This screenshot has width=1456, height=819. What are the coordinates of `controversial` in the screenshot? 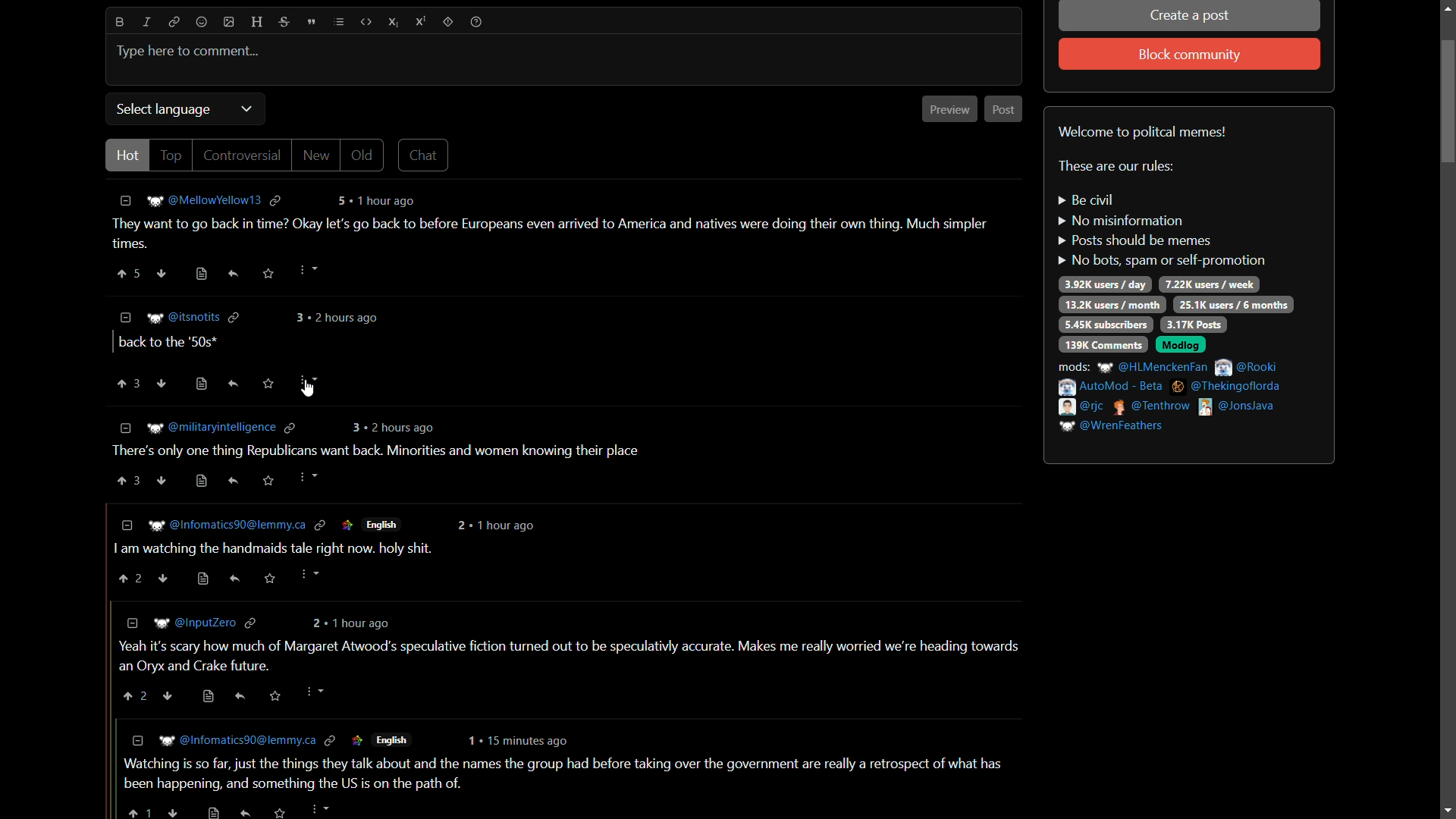 It's located at (240, 155).